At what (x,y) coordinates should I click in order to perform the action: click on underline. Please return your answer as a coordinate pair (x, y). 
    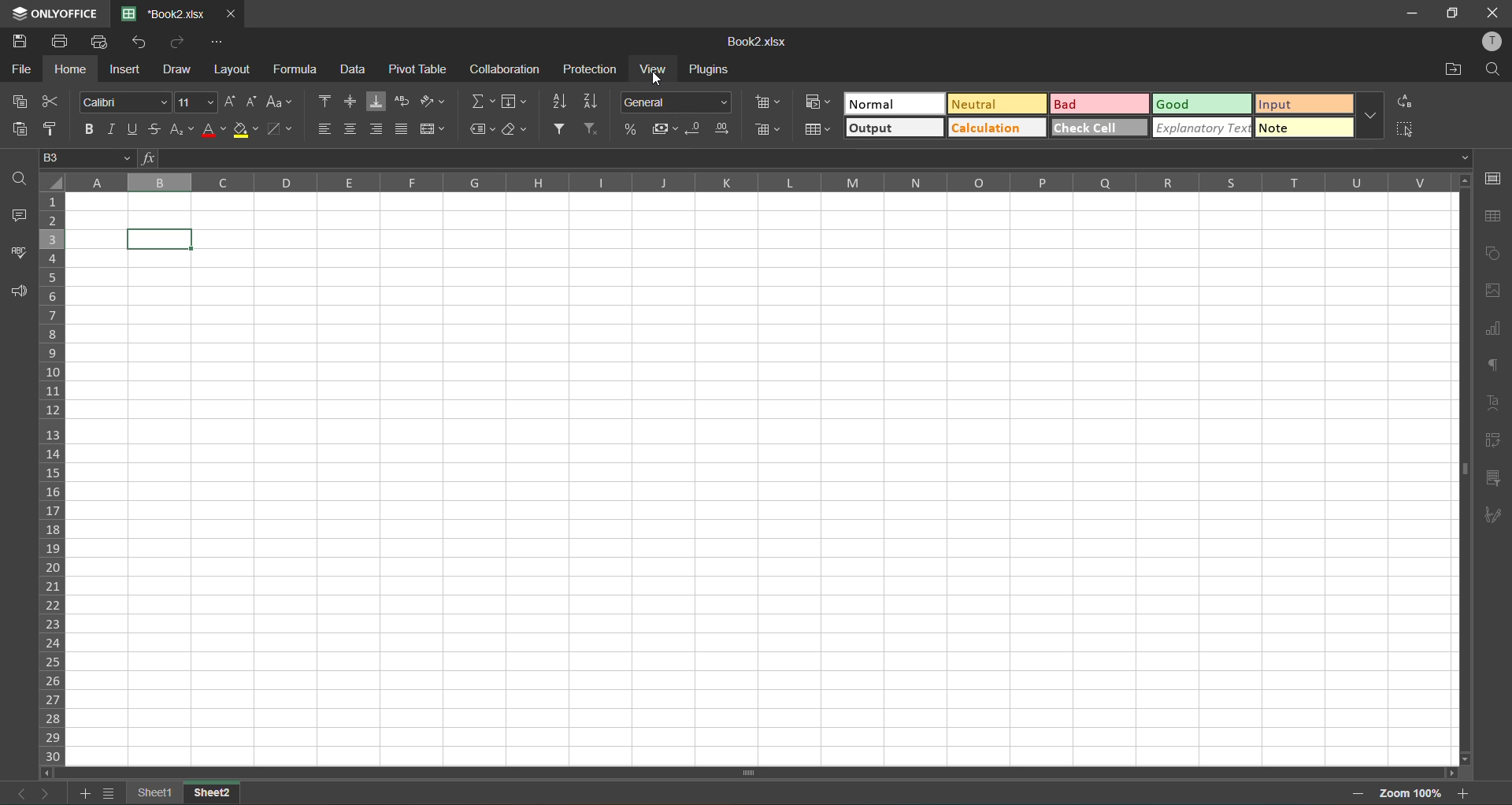
    Looking at the image, I should click on (135, 129).